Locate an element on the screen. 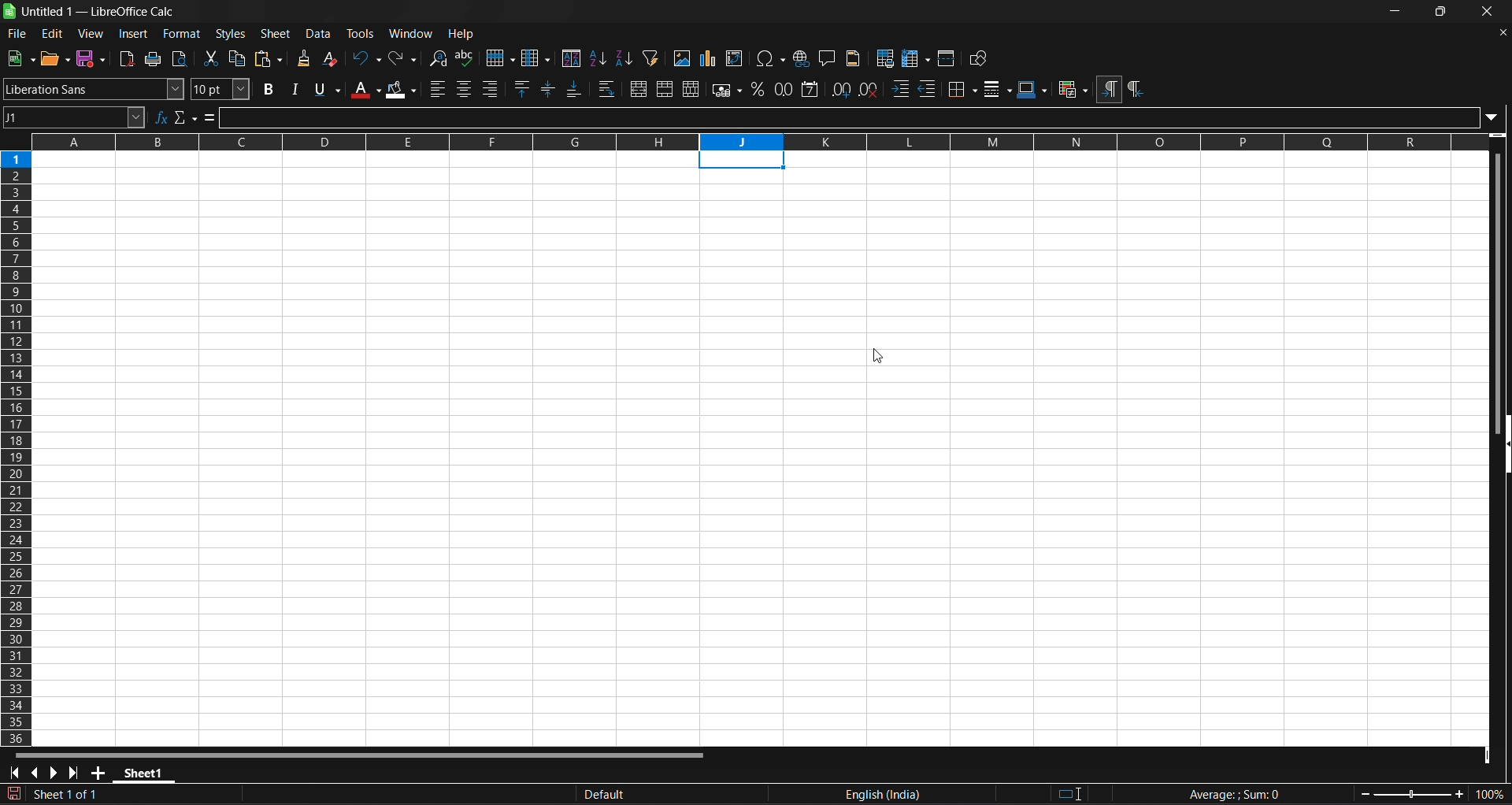  align right is located at coordinates (493, 88).